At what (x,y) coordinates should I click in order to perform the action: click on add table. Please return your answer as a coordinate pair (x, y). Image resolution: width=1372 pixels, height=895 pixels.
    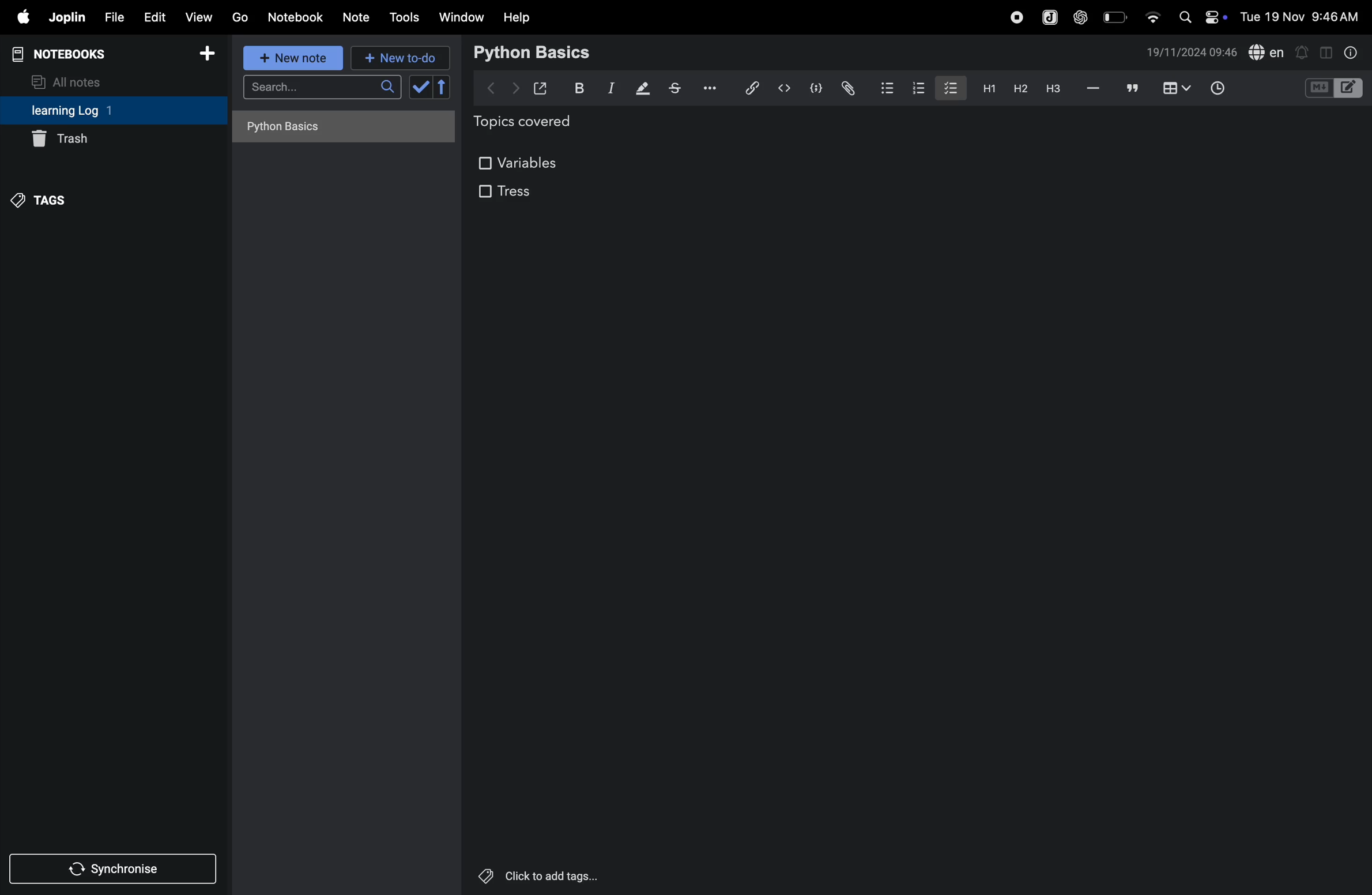
    Looking at the image, I should click on (1174, 89).